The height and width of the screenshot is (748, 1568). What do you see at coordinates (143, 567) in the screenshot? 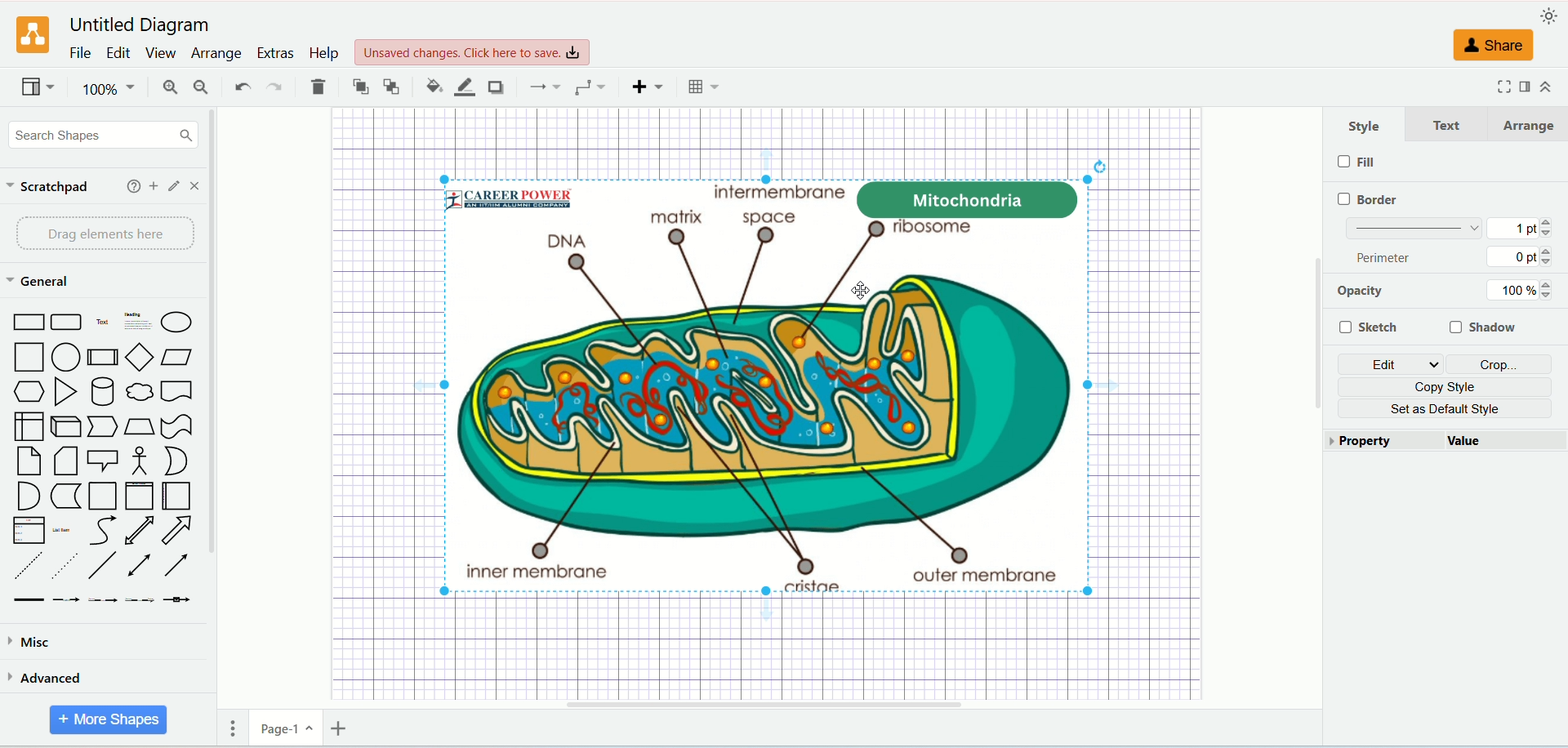
I see `Bidirectional Connector` at bounding box center [143, 567].